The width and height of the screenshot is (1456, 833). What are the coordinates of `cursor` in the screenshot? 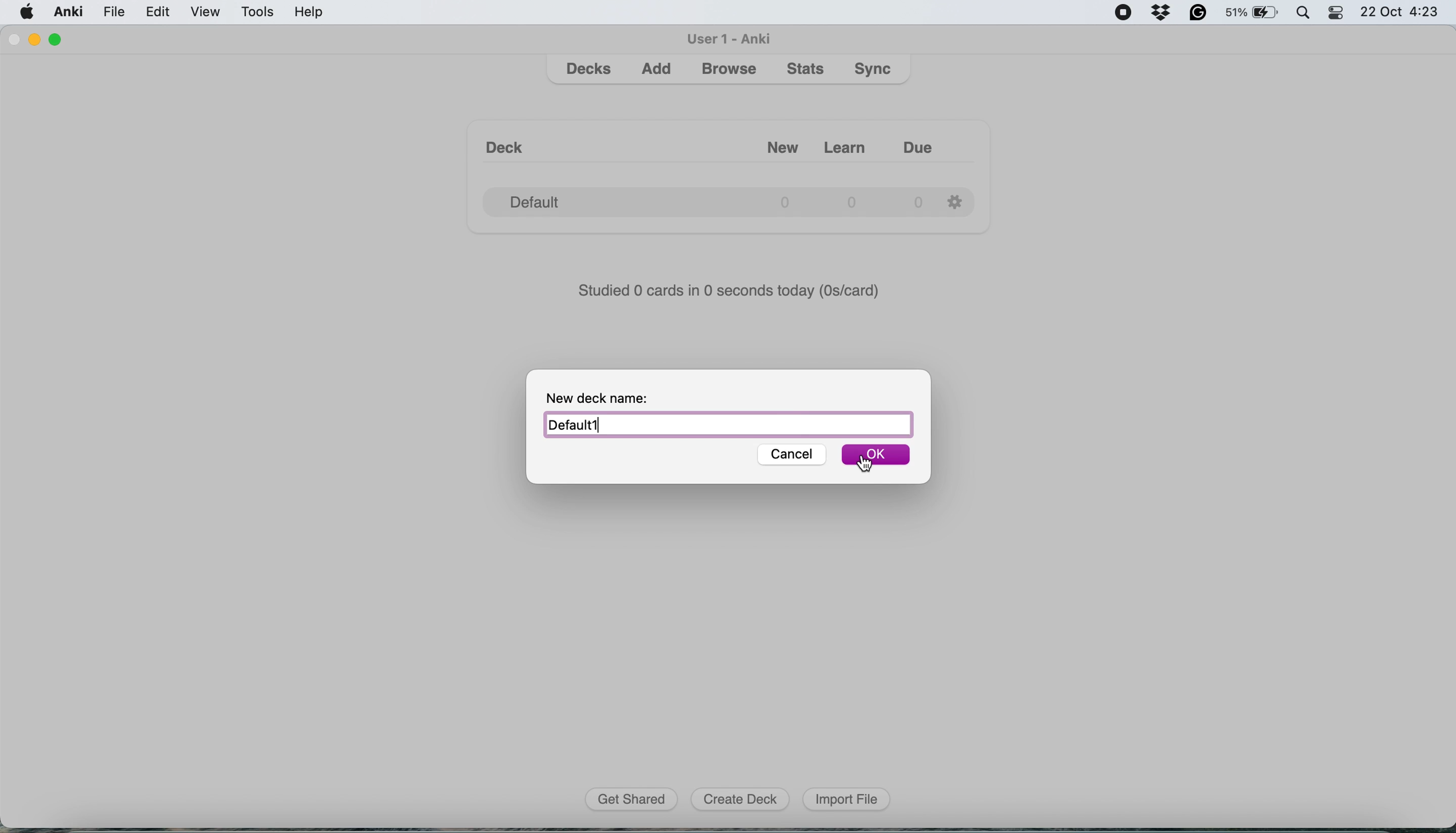 It's located at (865, 461).